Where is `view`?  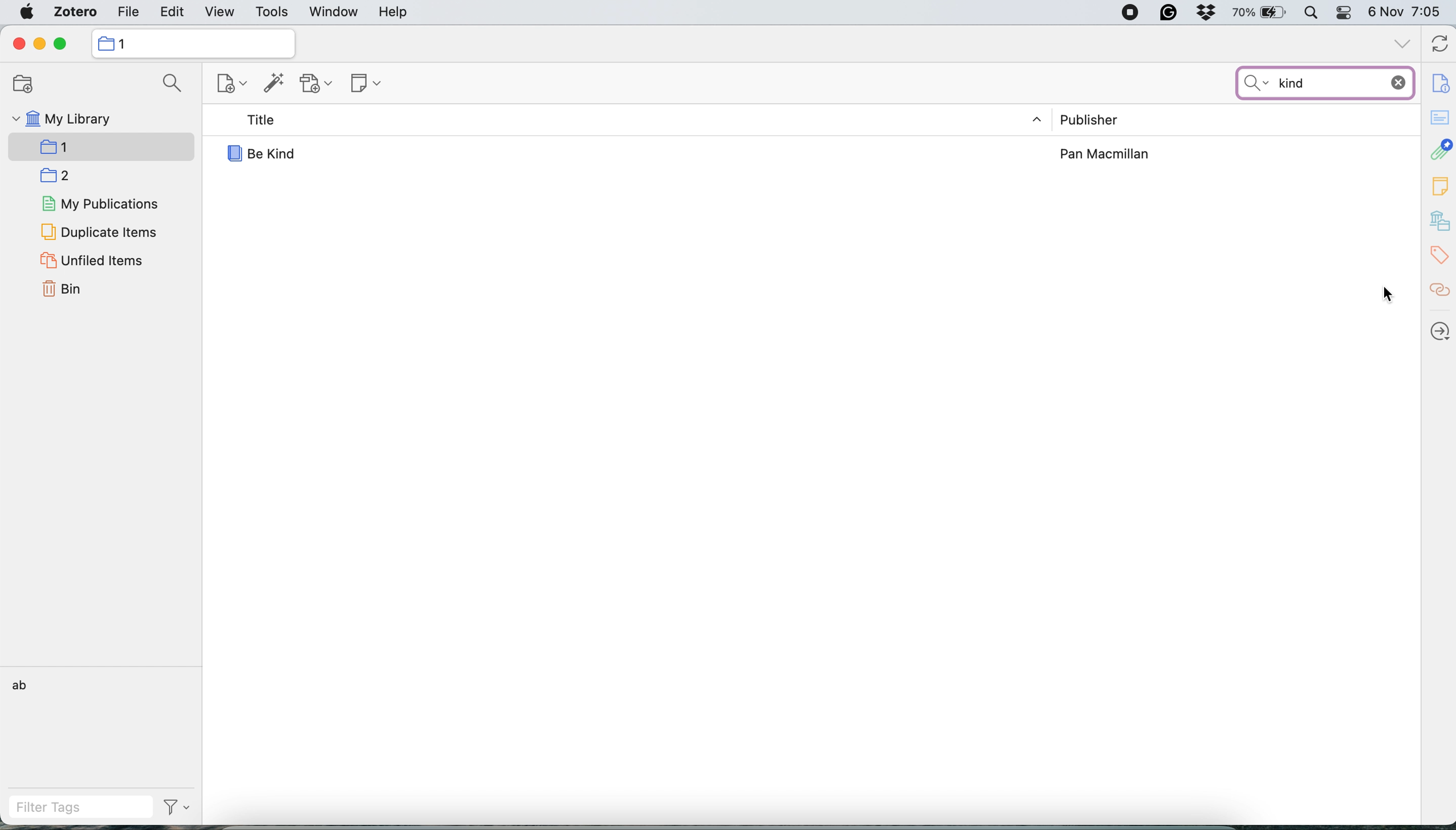
view is located at coordinates (221, 11).